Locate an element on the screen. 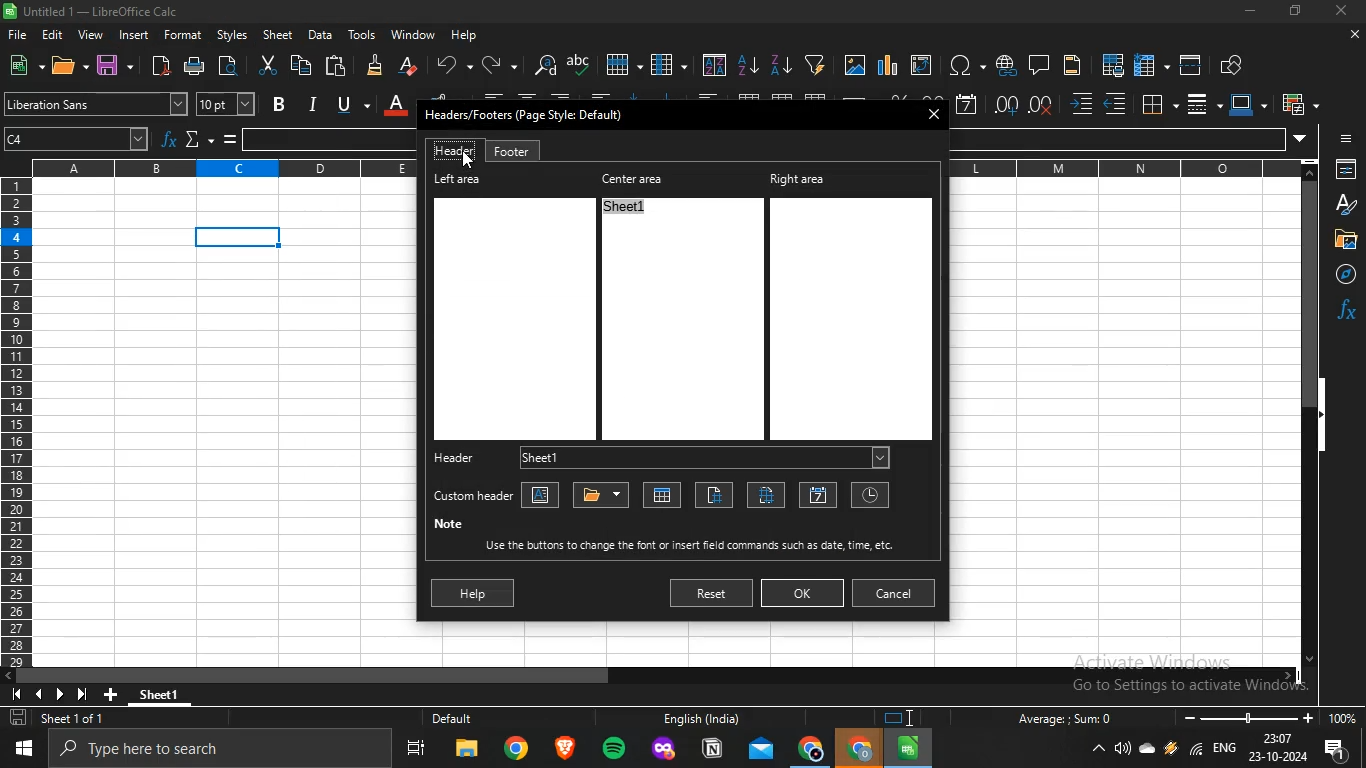  new  is located at coordinates (20, 64).